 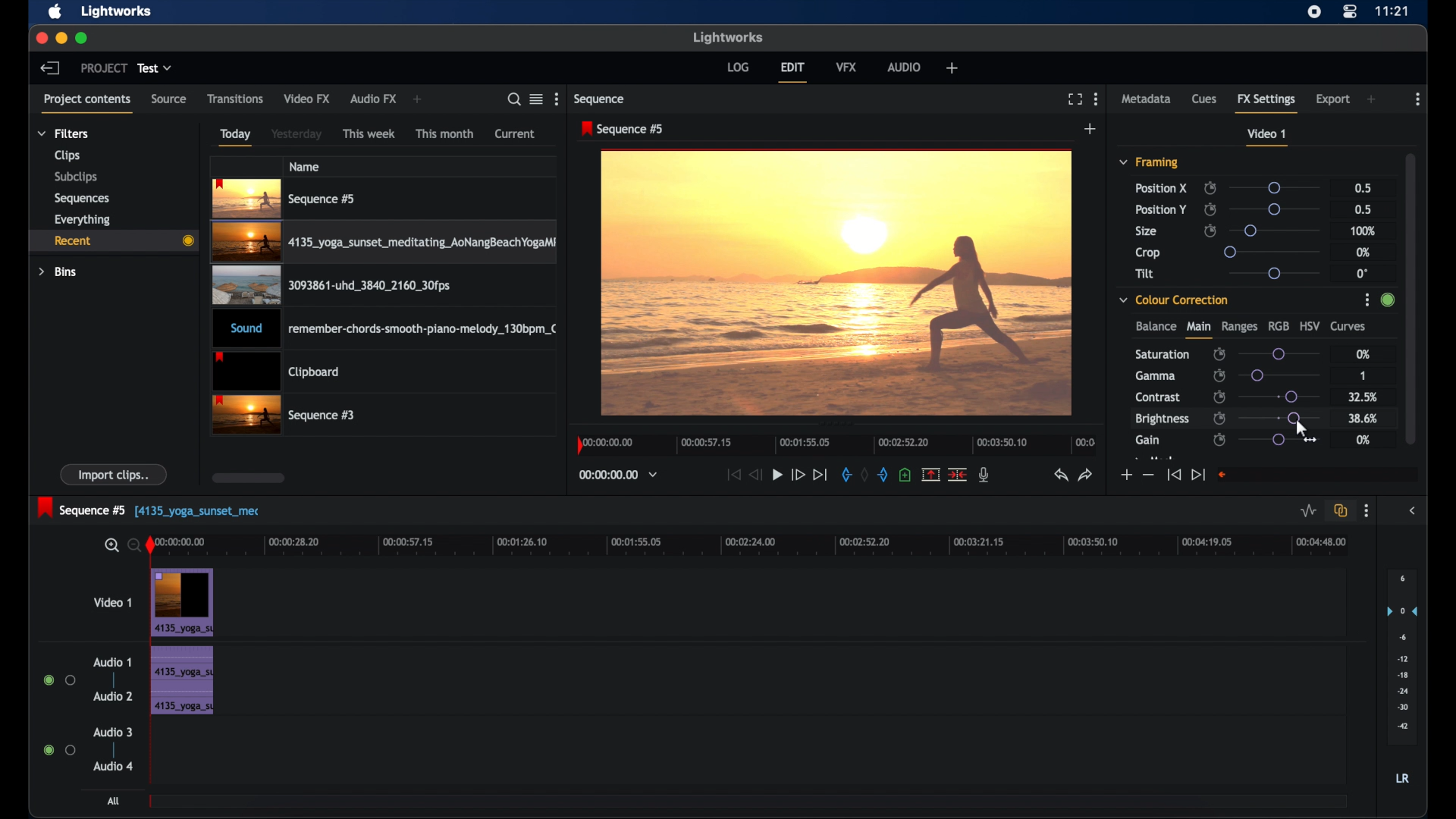 I want to click on transitions, so click(x=236, y=99).